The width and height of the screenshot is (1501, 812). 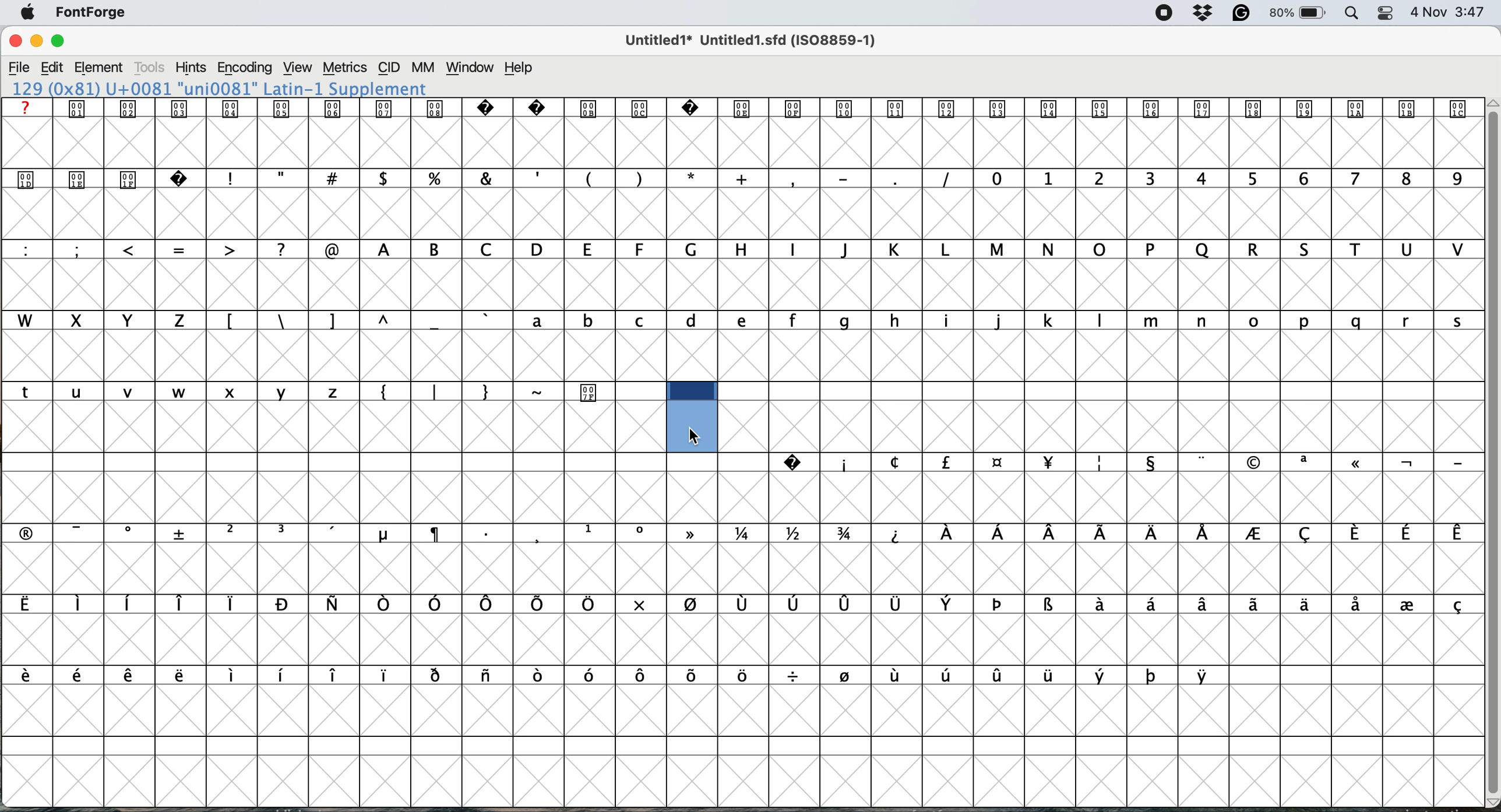 What do you see at coordinates (99, 69) in the screenshot?
I see `Element` at bounding box center [99, 69].